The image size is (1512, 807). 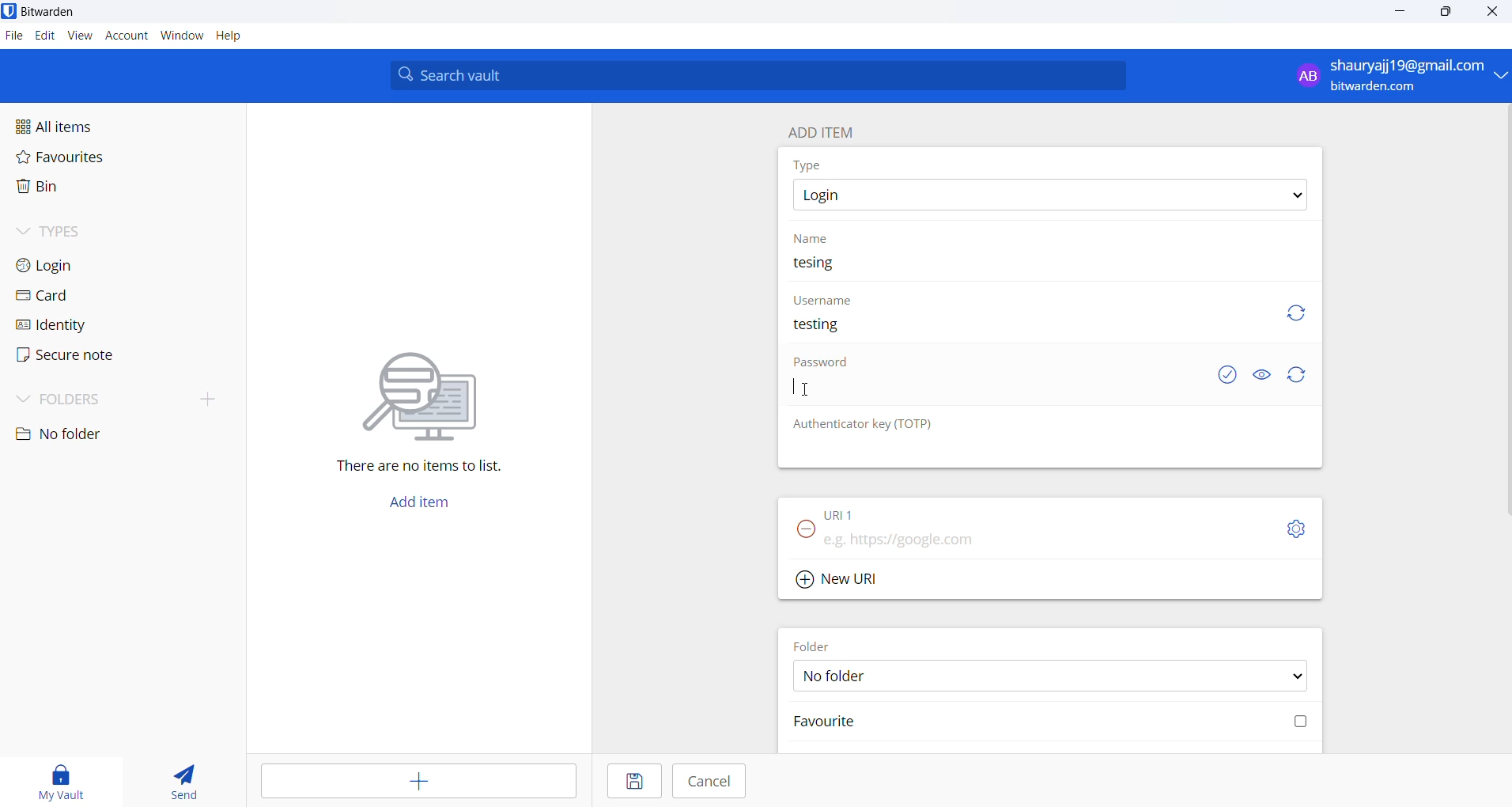 What do you see at coordinates (176, 777) in the screenshot?
I see `send` at bounding box center [176, 777].